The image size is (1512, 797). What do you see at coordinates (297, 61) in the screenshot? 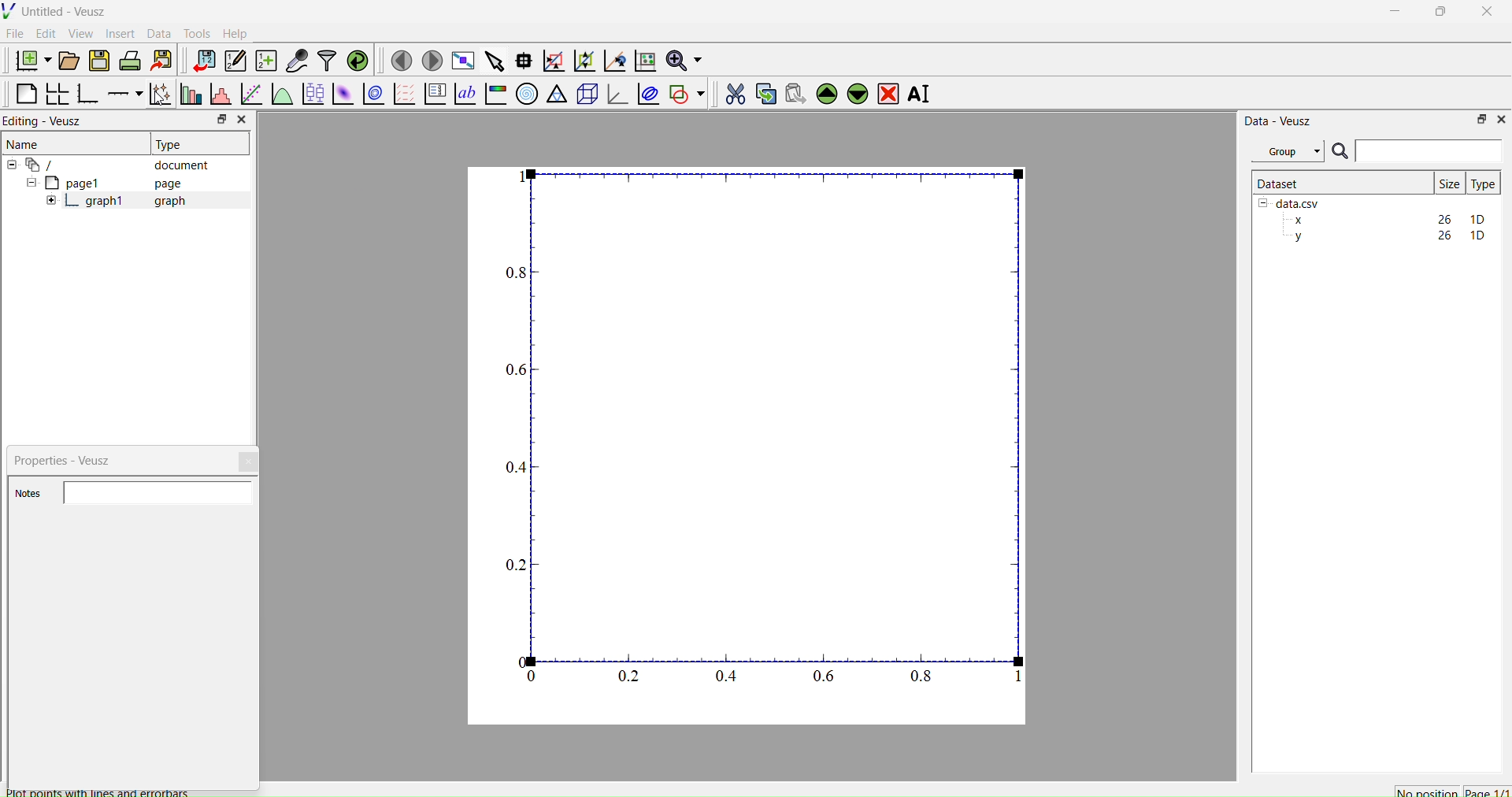
I see `Capture remote data` at bounding box center [297, 61].